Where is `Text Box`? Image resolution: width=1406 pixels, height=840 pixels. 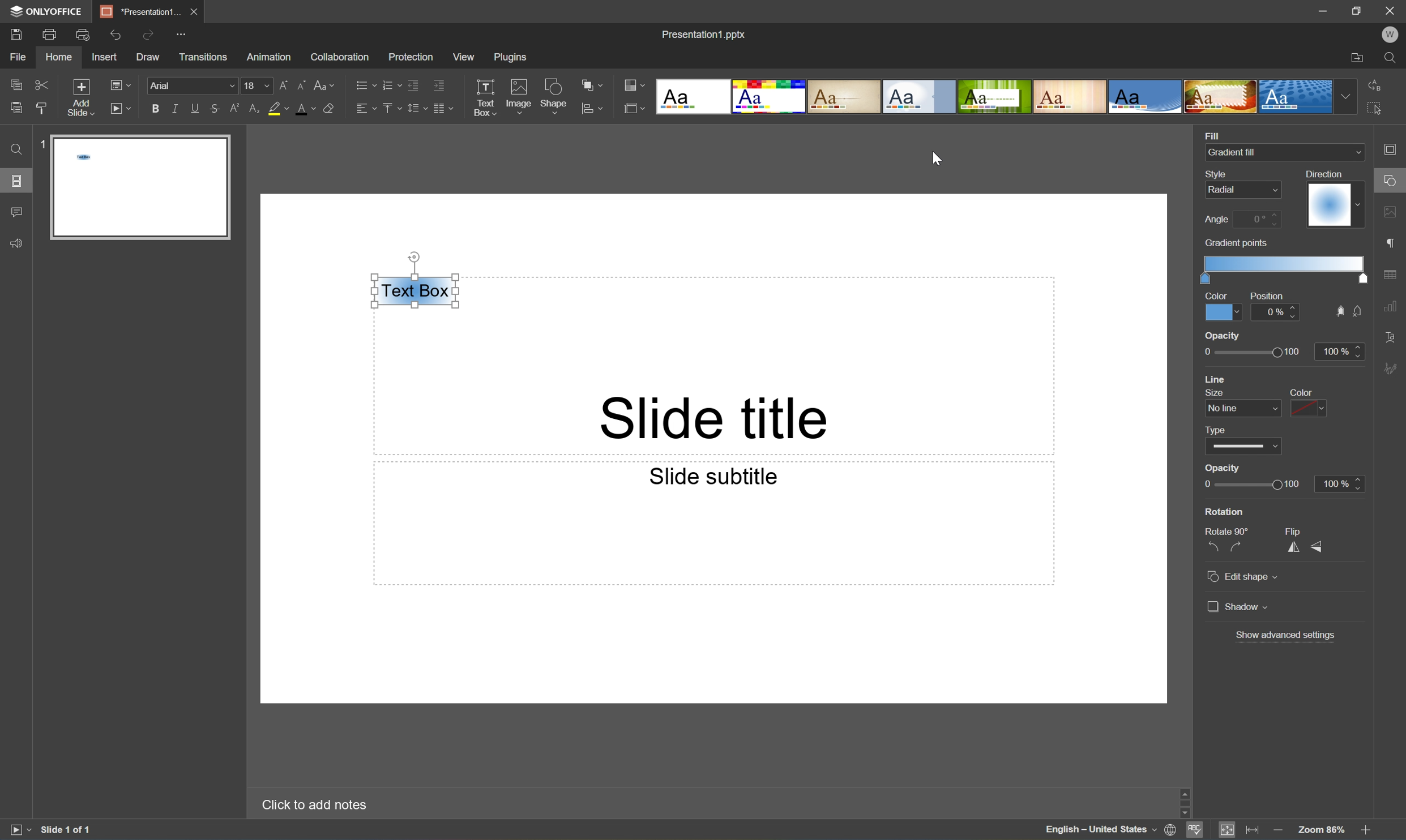 Text Box is located at coordinates (417, 291).